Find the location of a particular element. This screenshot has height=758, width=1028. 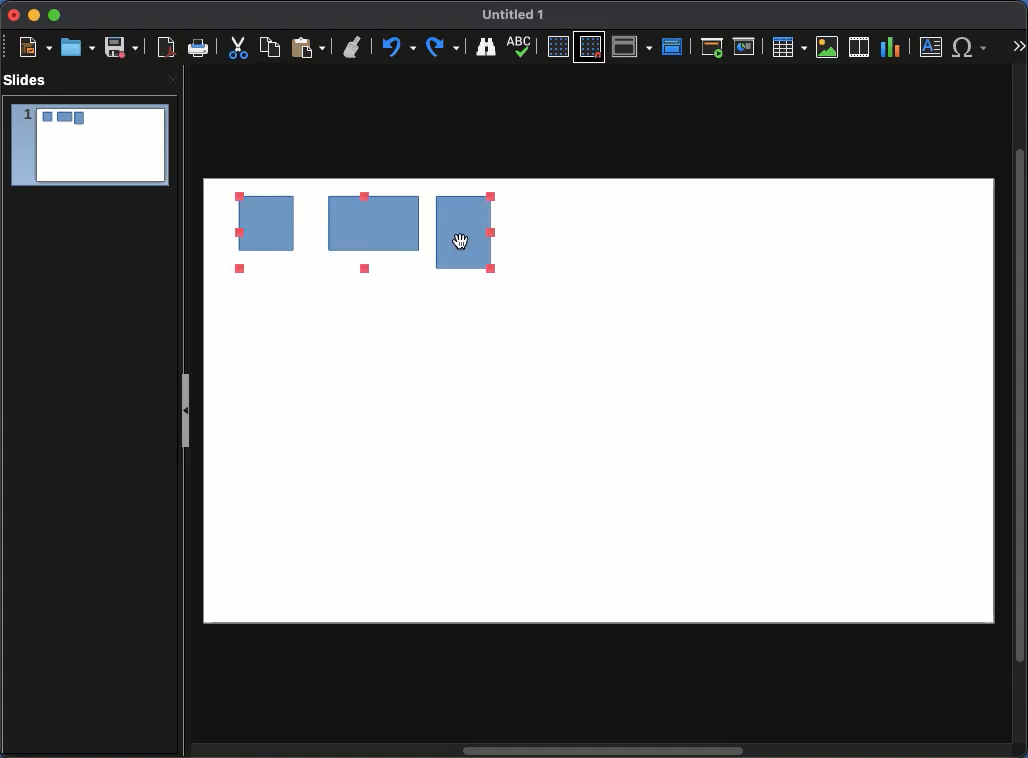

Print is located at coordinates (200, 49).